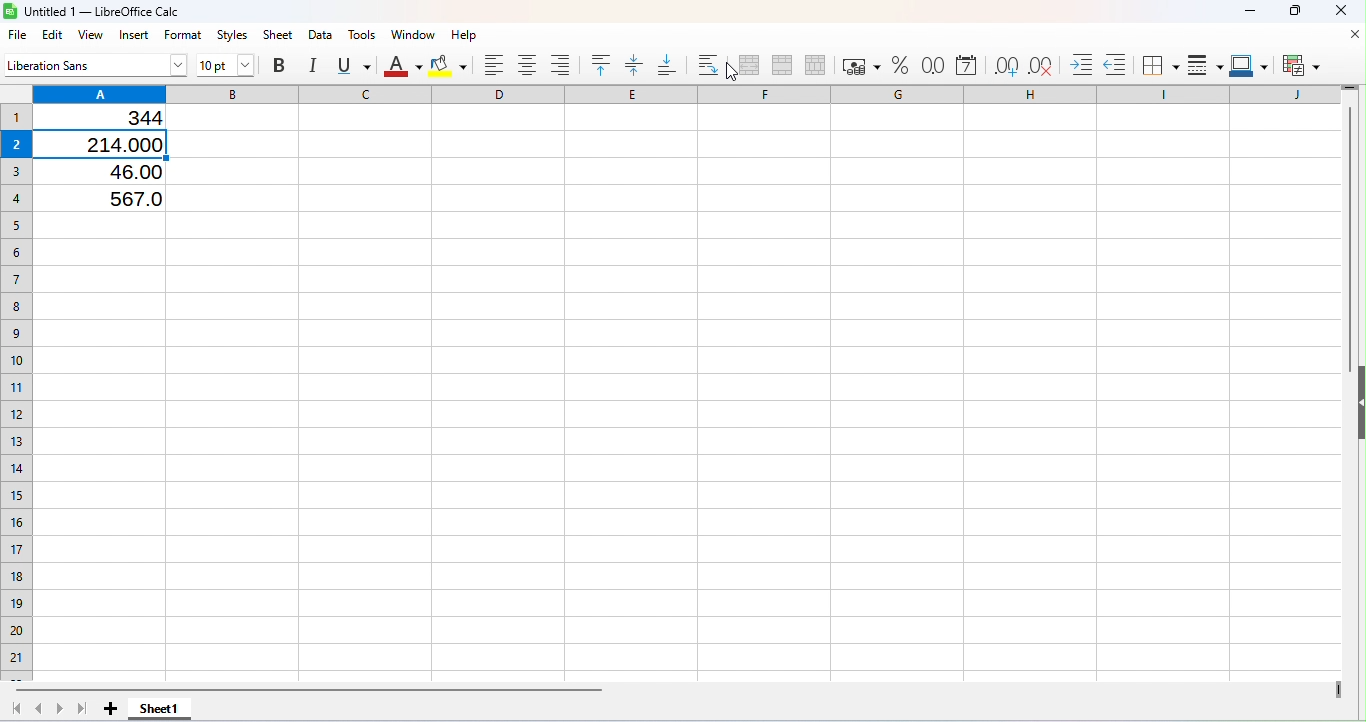  I want to click on Sheet, so click(279, 34).